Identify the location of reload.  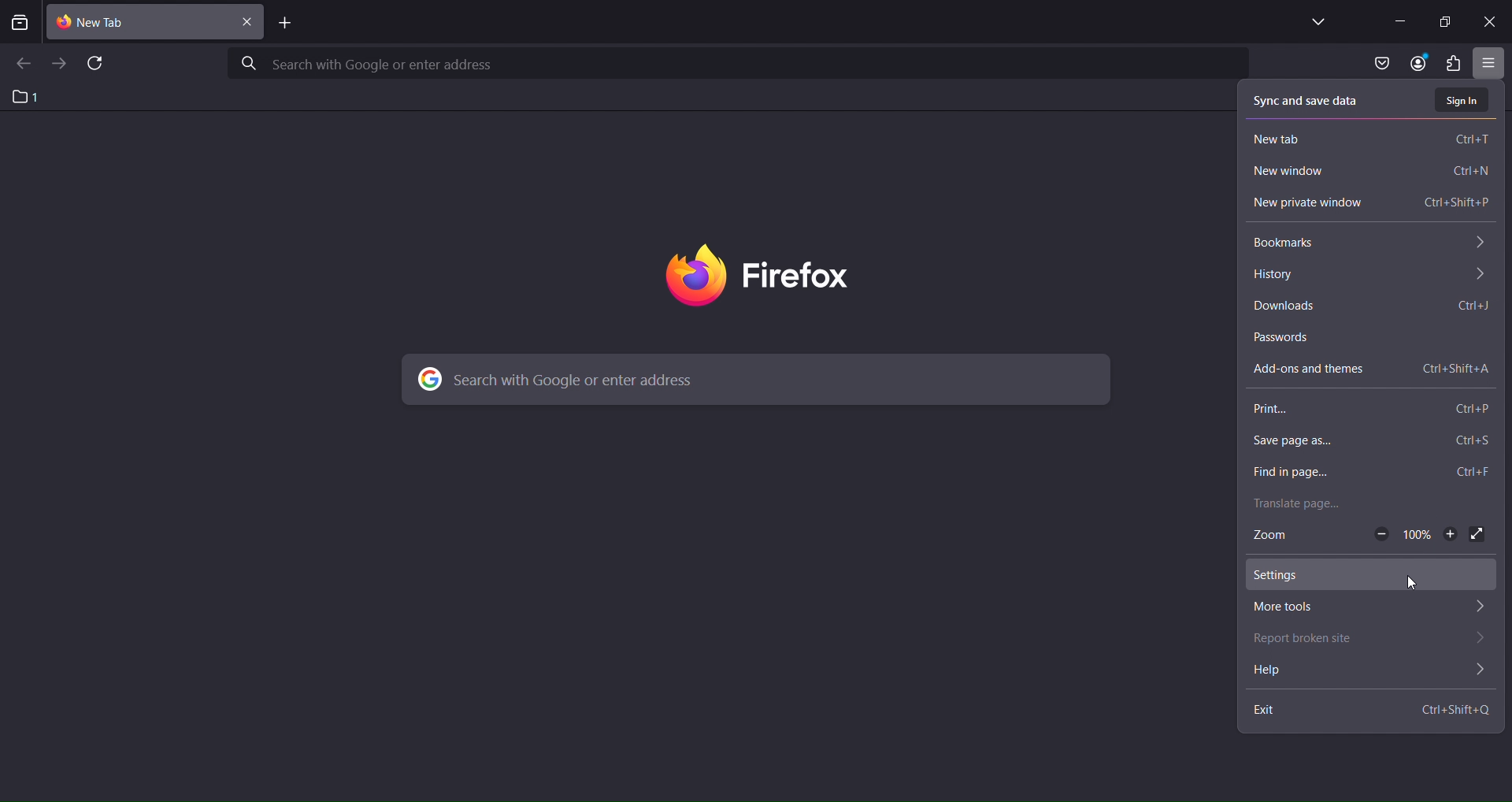
(98, 65).